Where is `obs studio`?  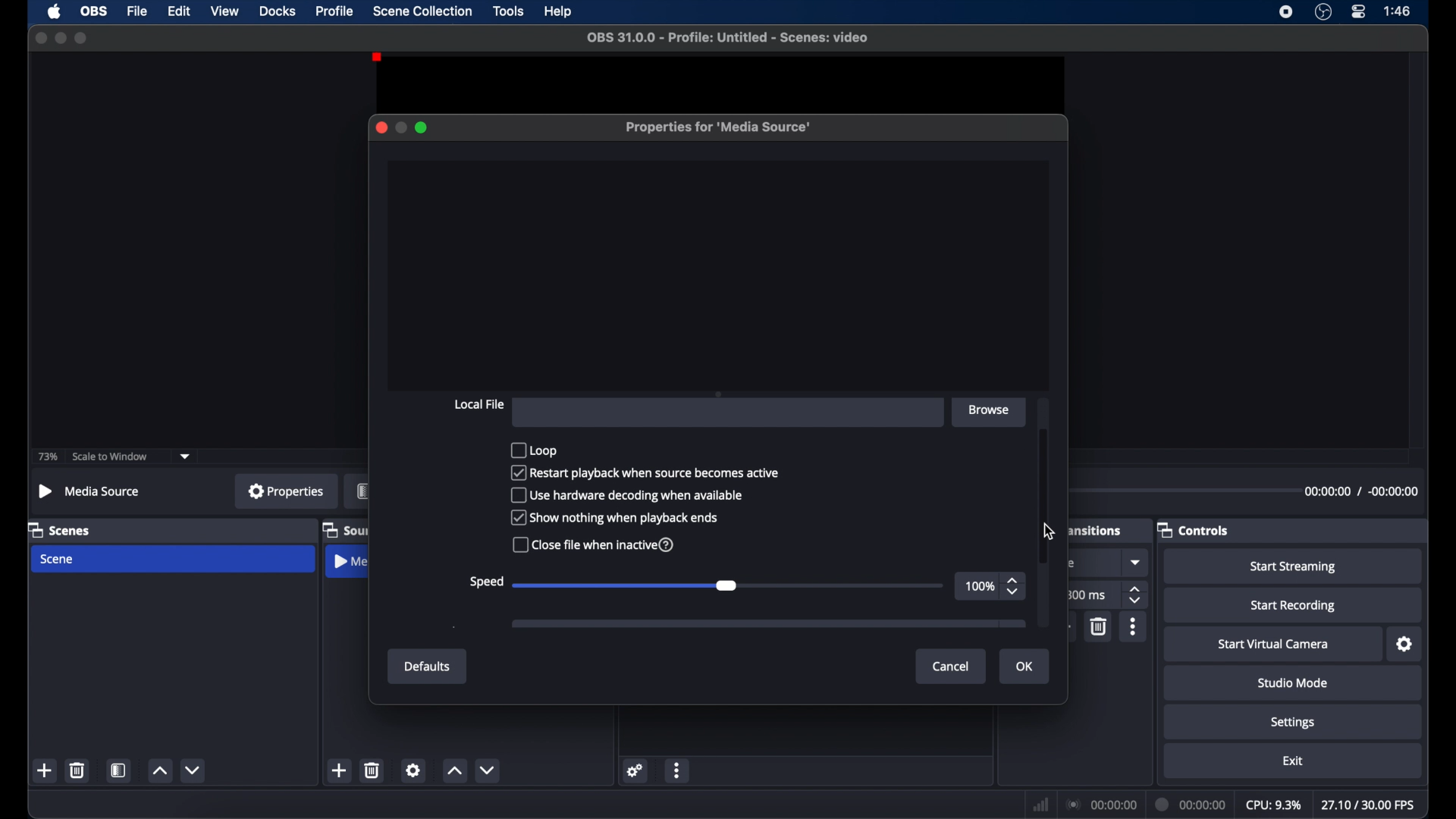
obs studio is located at coordinates (1323, 11).